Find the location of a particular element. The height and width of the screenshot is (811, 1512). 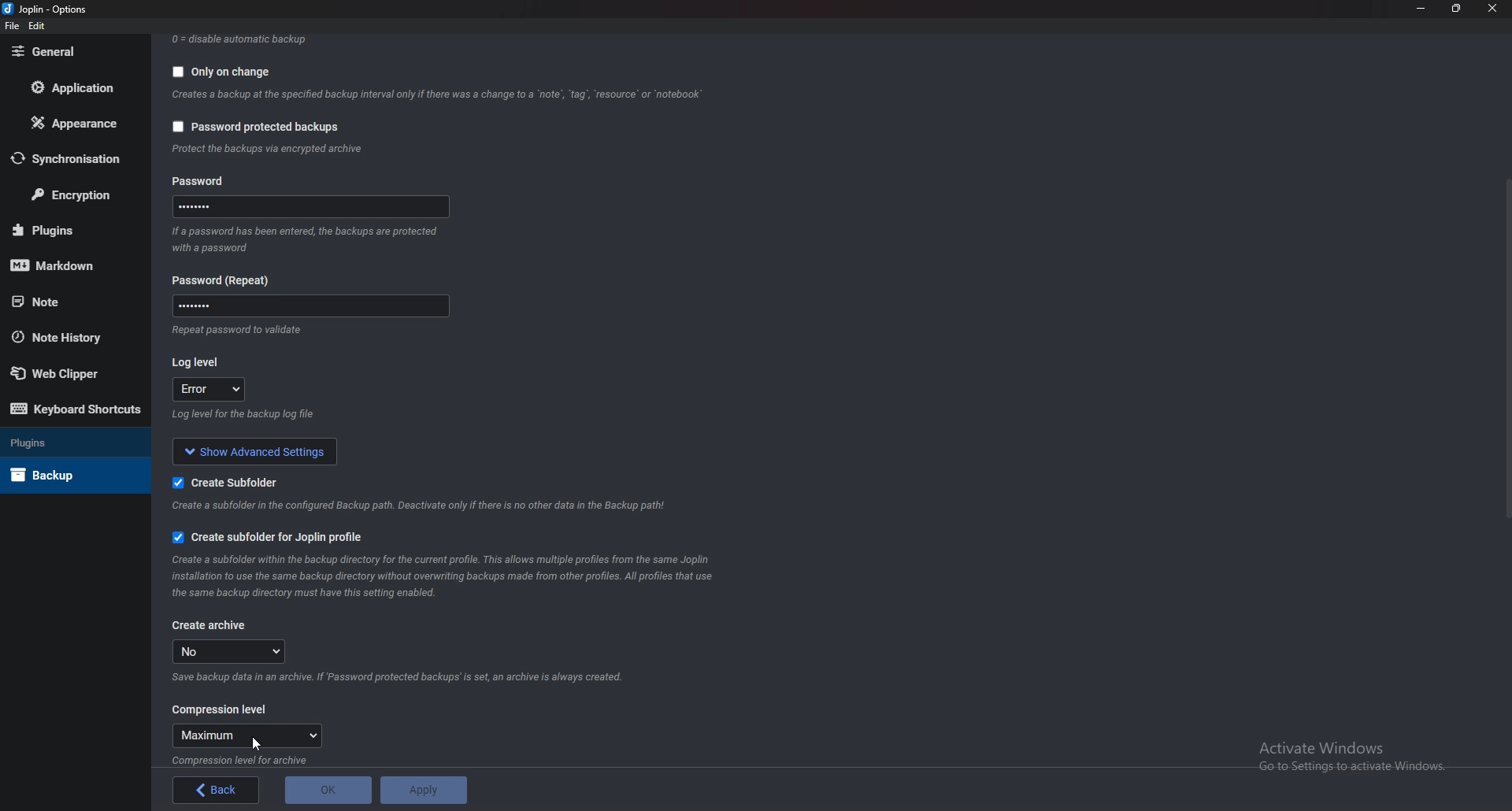

O K is located at coordinates (329, 789).